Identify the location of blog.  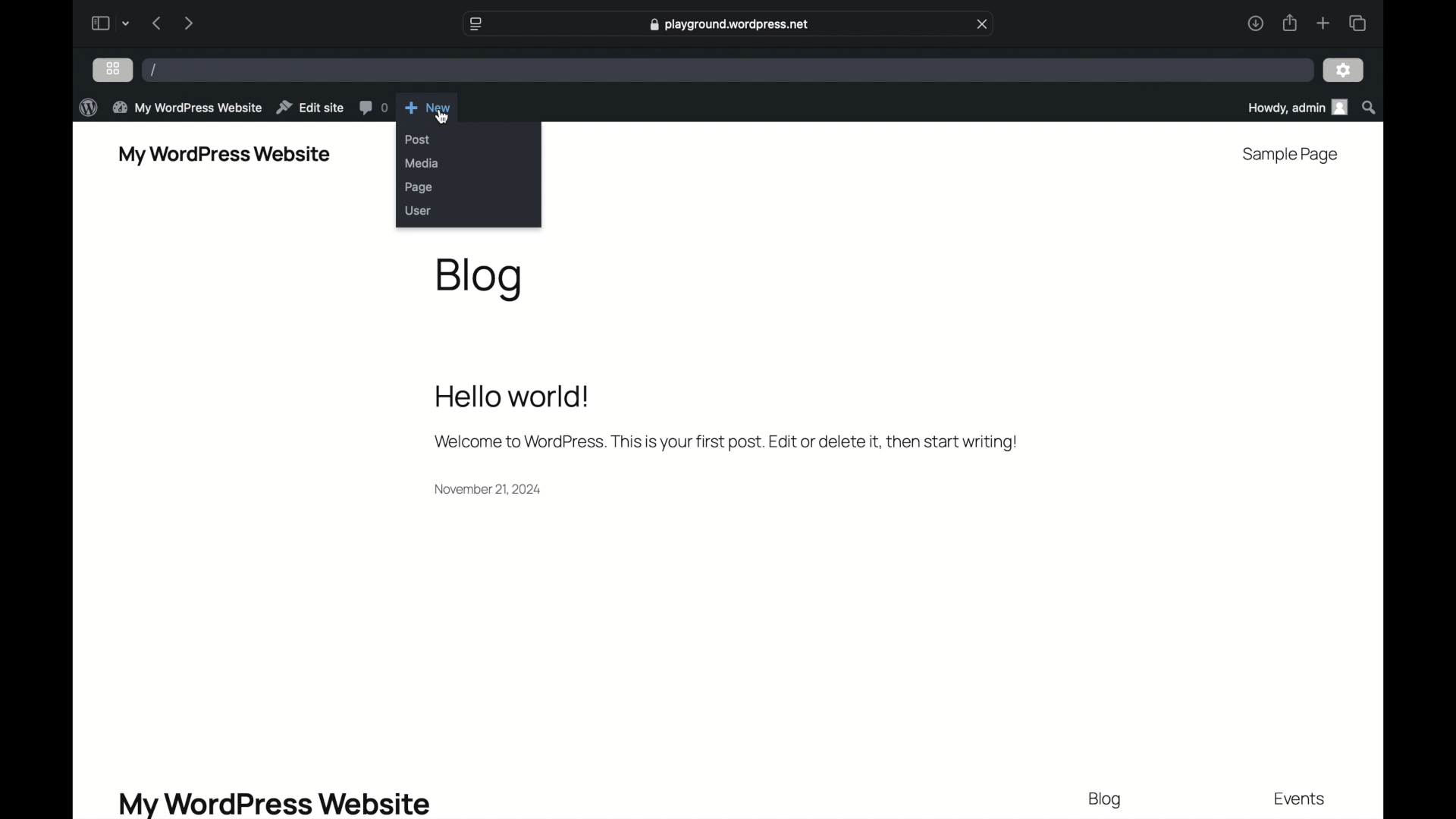
(1105, 801).